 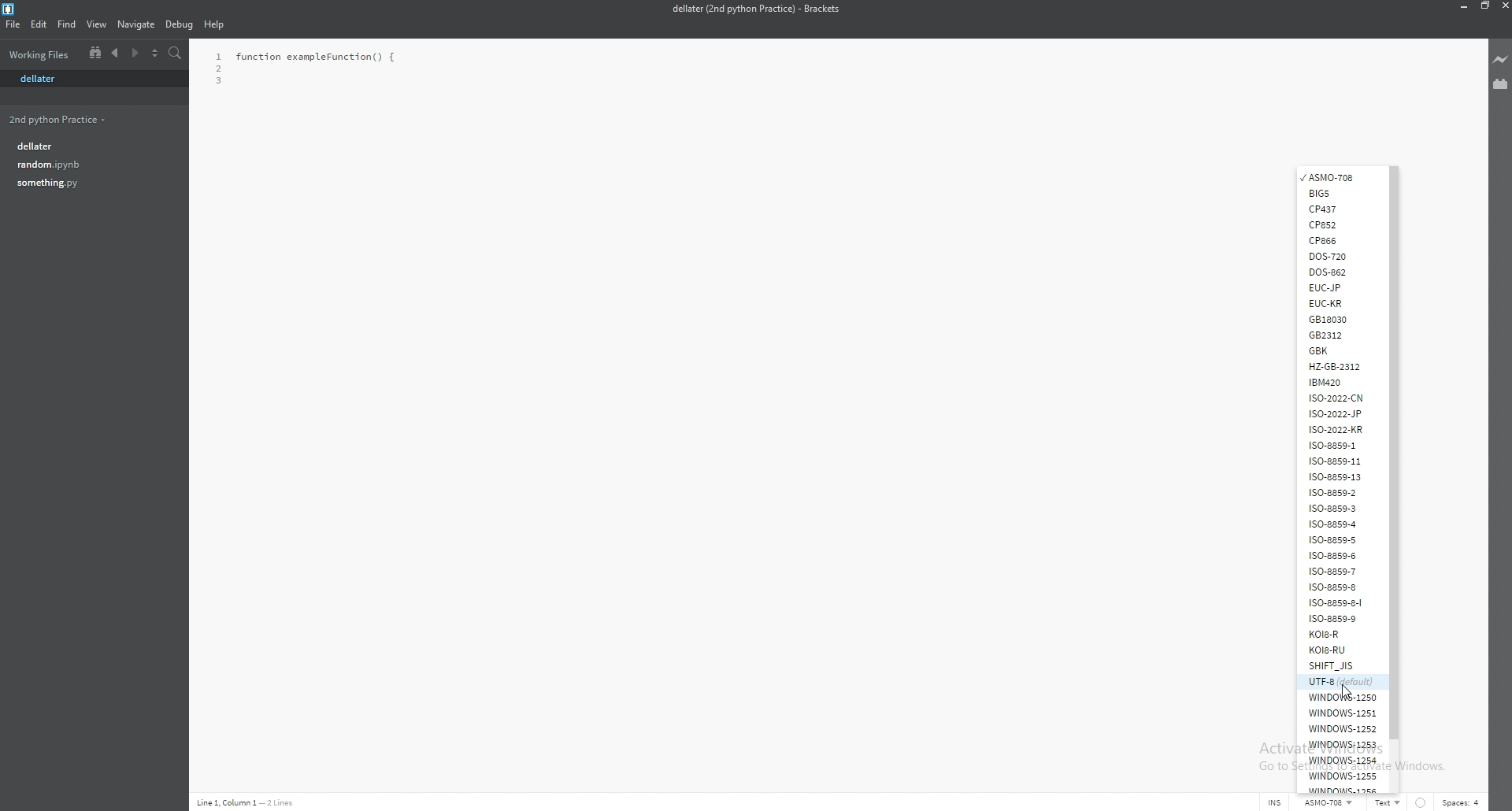 I want to click on Text, so click(x=1388, y=802).